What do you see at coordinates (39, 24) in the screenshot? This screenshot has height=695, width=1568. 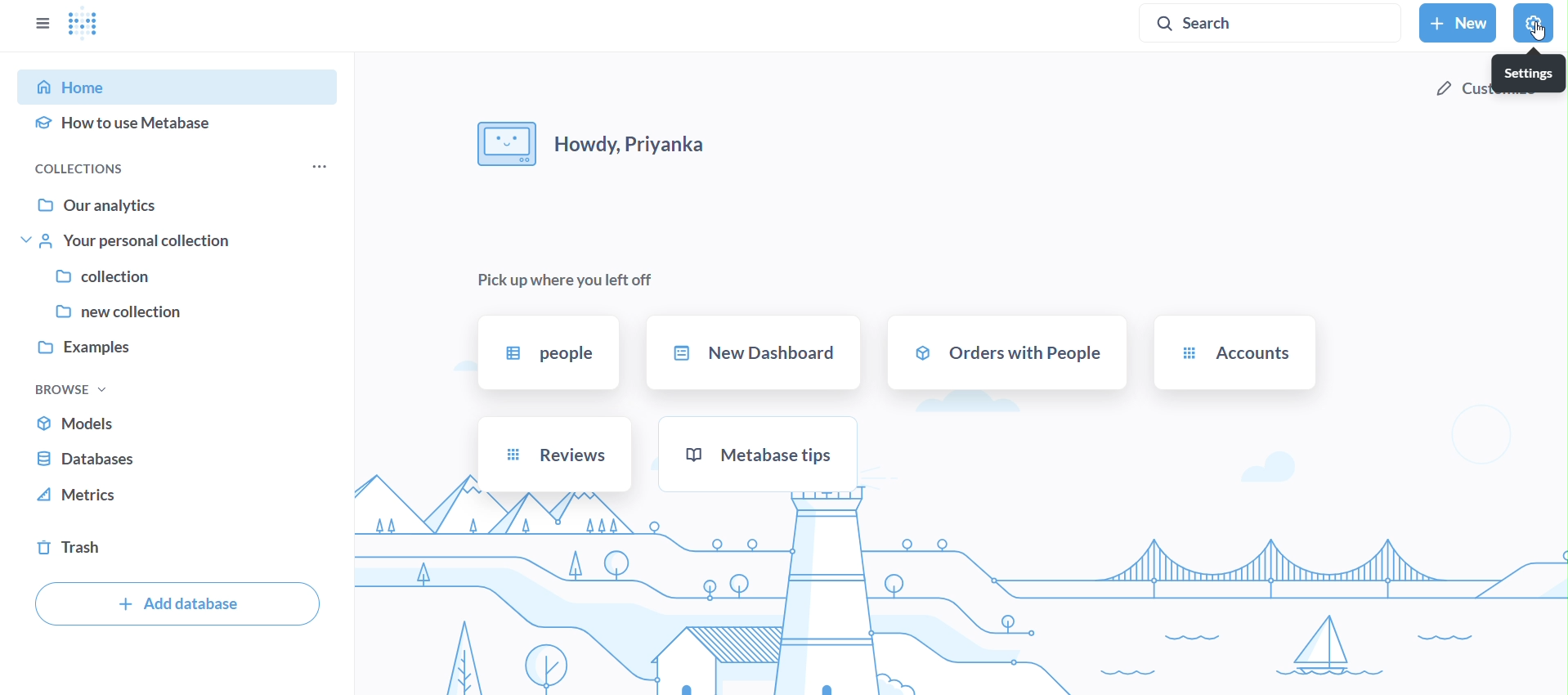 I see `close sidebar` at bounding box center [39, 24].